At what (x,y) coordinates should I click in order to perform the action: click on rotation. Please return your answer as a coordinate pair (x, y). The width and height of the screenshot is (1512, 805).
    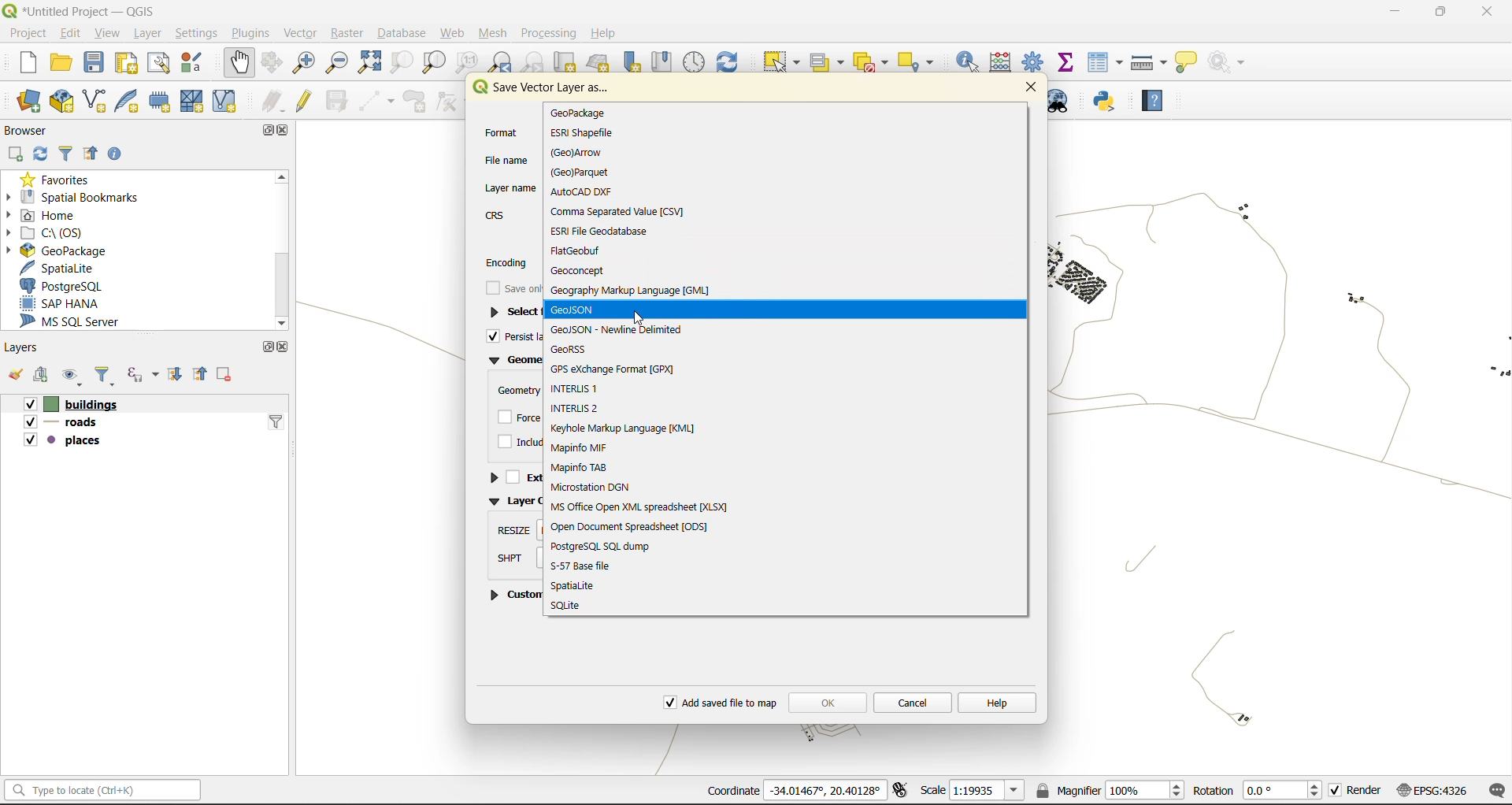
    Looking at the image, I should click on (1258, 791).